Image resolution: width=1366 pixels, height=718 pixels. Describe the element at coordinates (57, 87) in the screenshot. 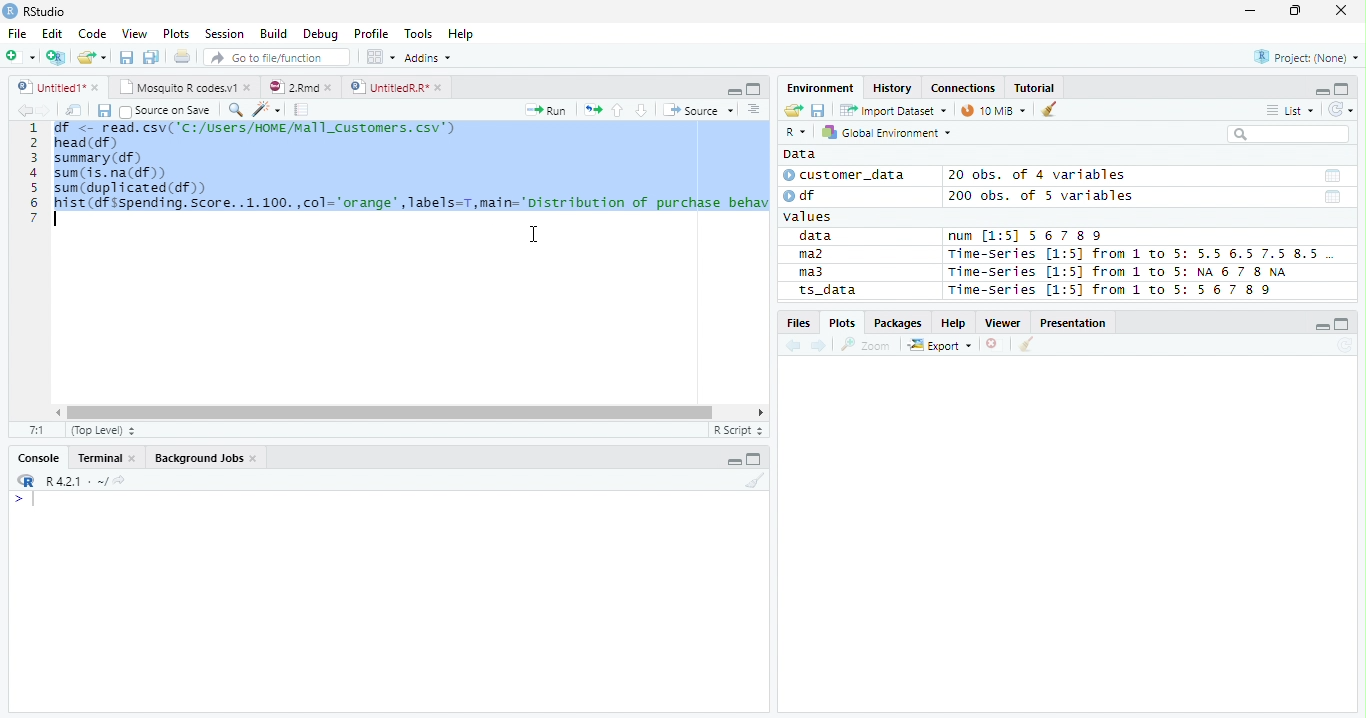

I see `Untitiled1` at that location.